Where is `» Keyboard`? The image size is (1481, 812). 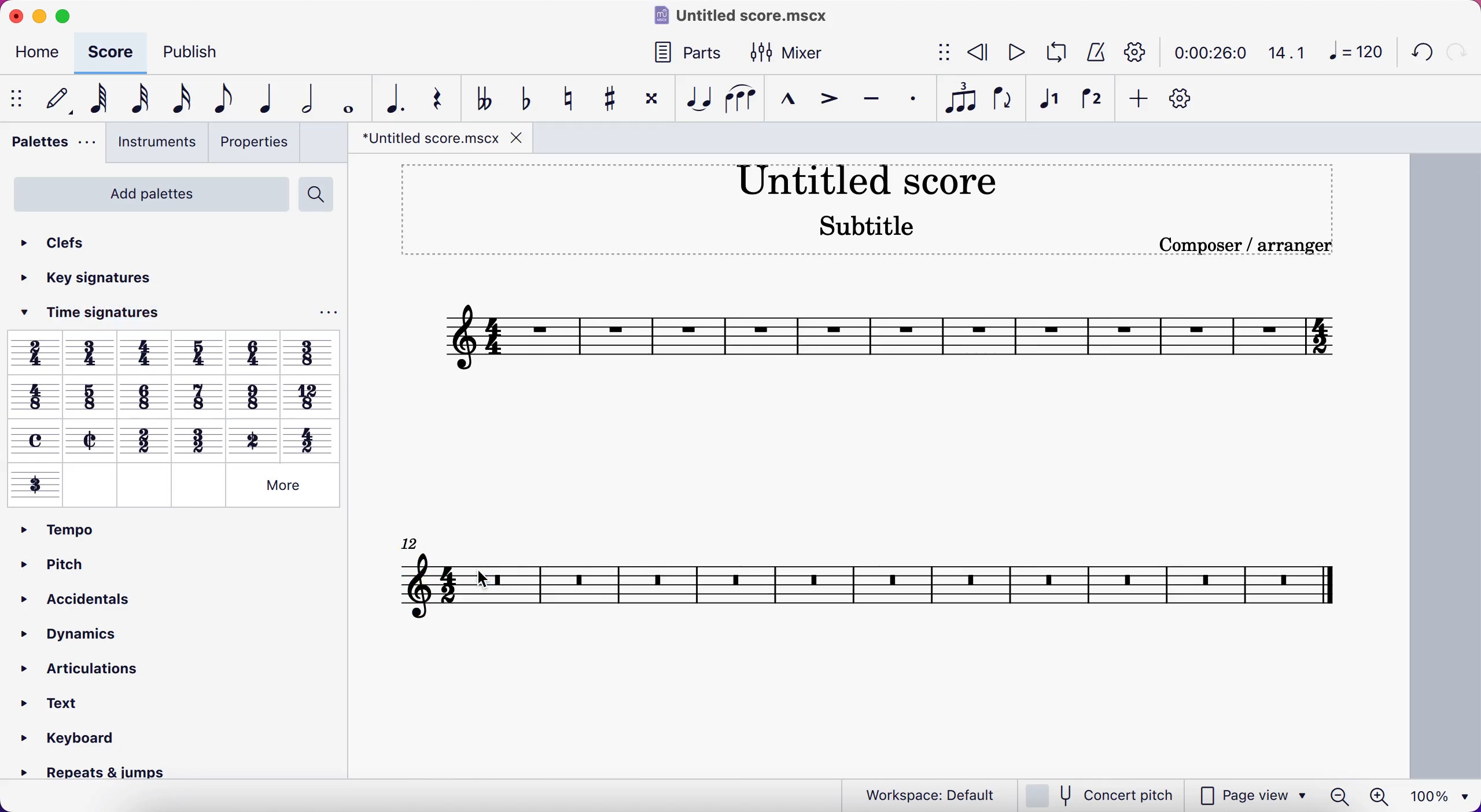
» Keyboard is located at coordinates (68, 738).